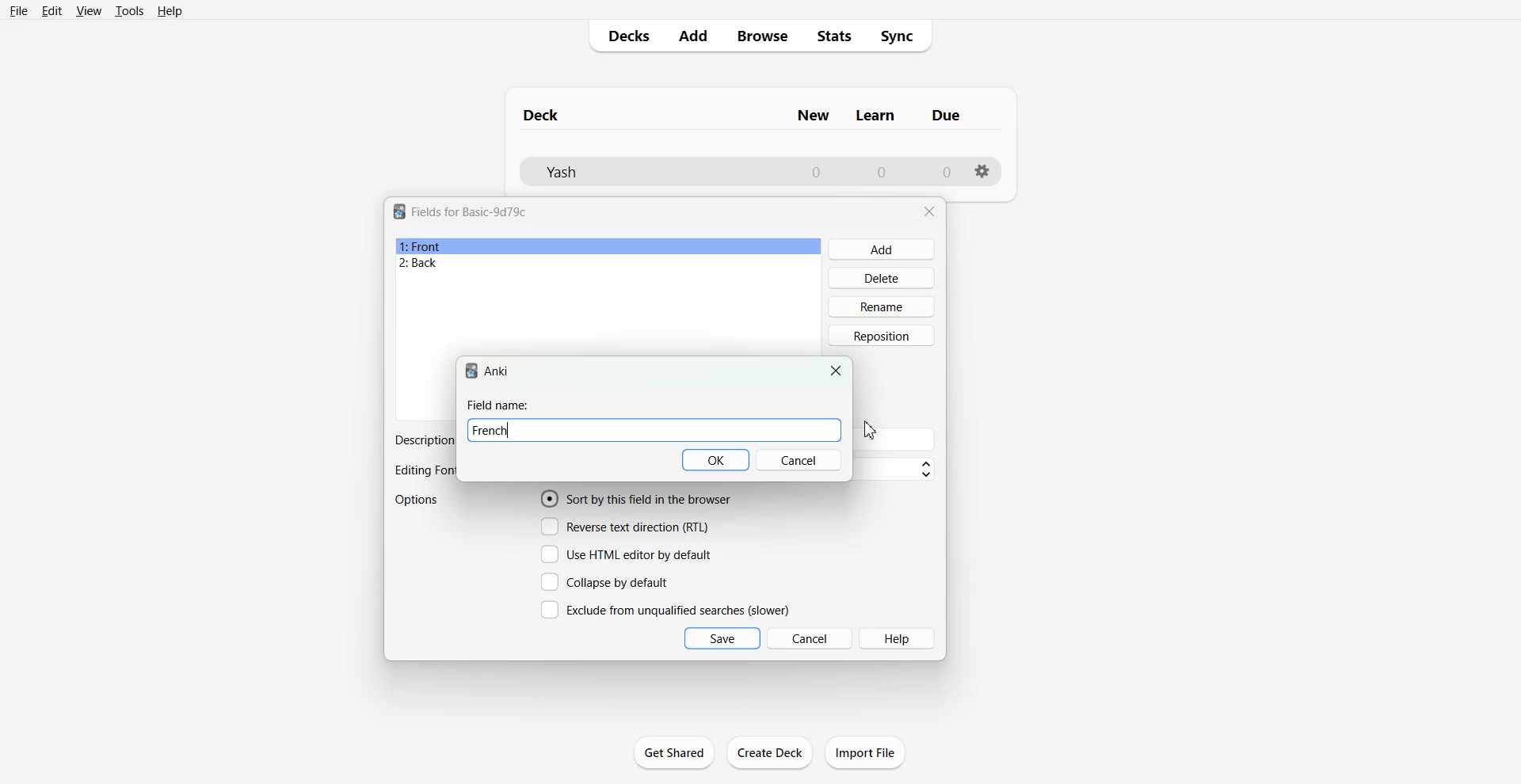 This screenshot has width=1521, height=784. Describe the element at coordinates (898, 470) in the screenshot. I see `Font size` at that location.